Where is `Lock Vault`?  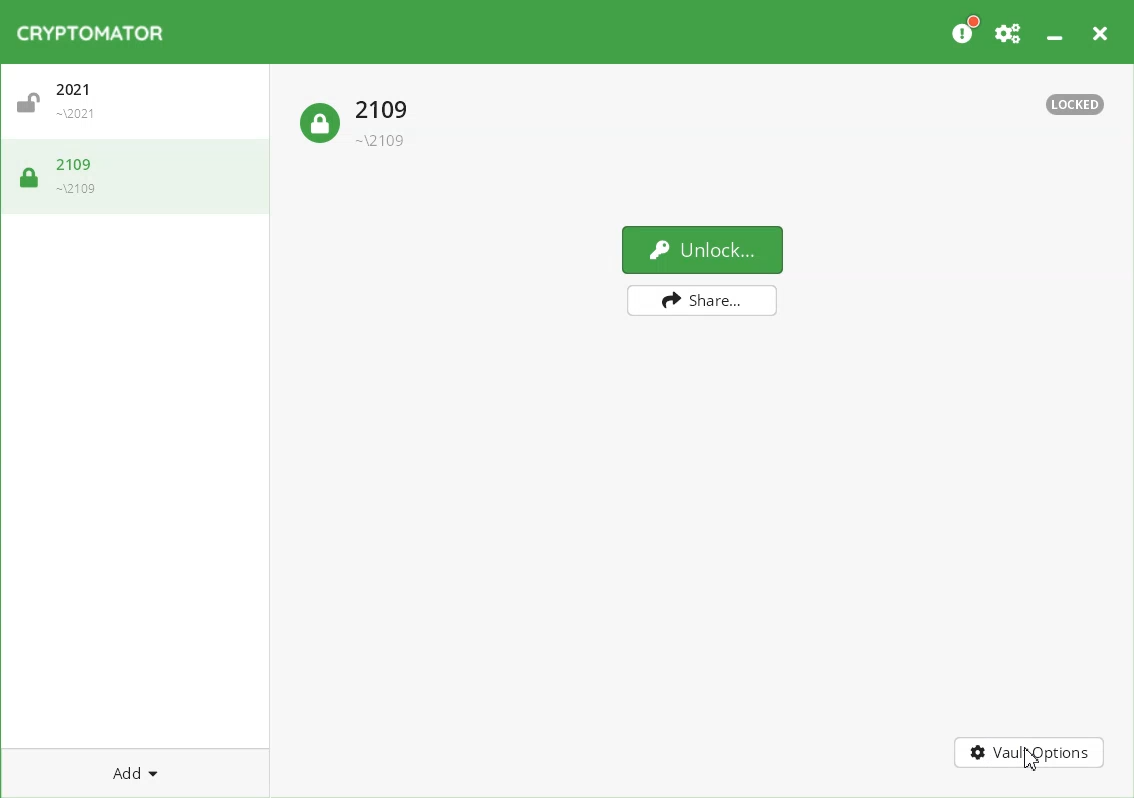 Lock Vault is located at coordinates (359, 117).